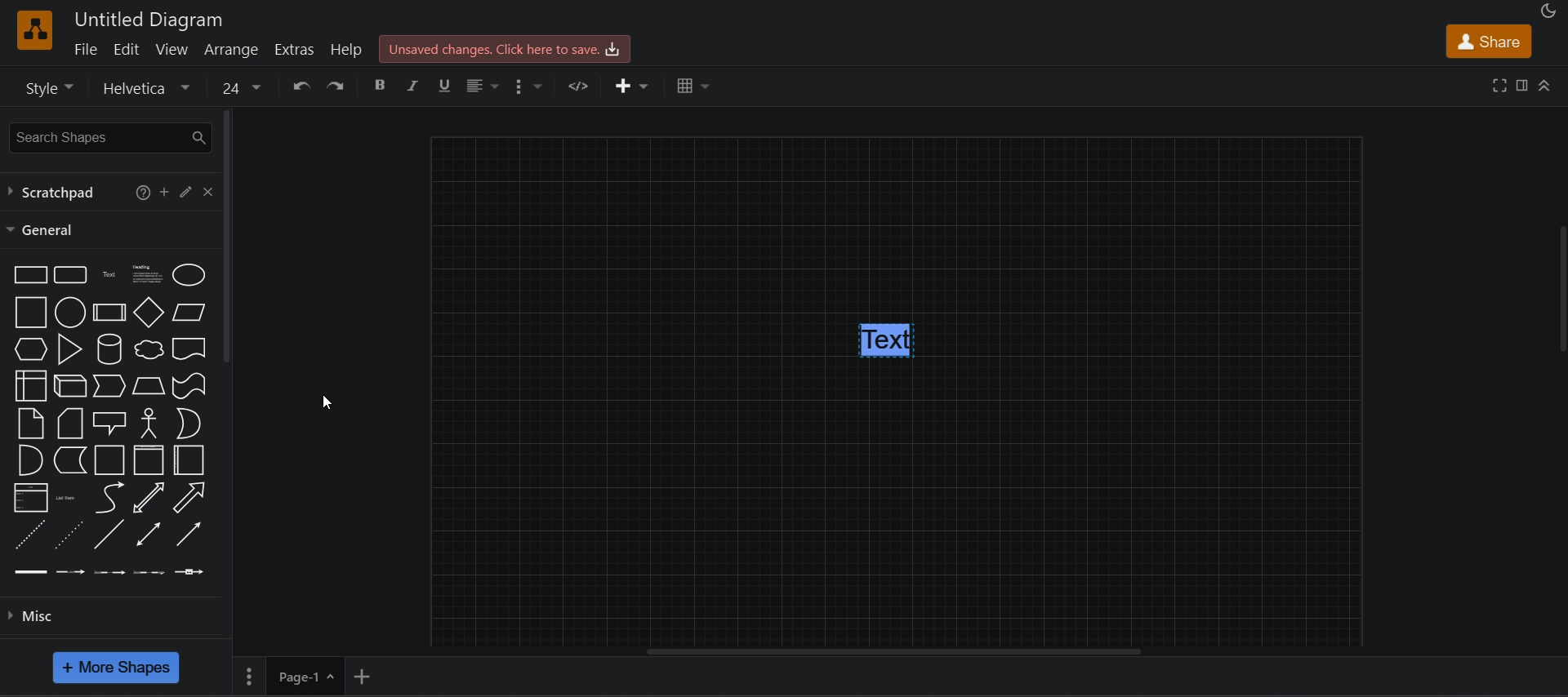 Image resolution: width=1568 pixels, height=697 pixels. What do you see at coordinates (30, 274) in the screenshot?
I see `Rectangle` at bounding box center [30, 274].